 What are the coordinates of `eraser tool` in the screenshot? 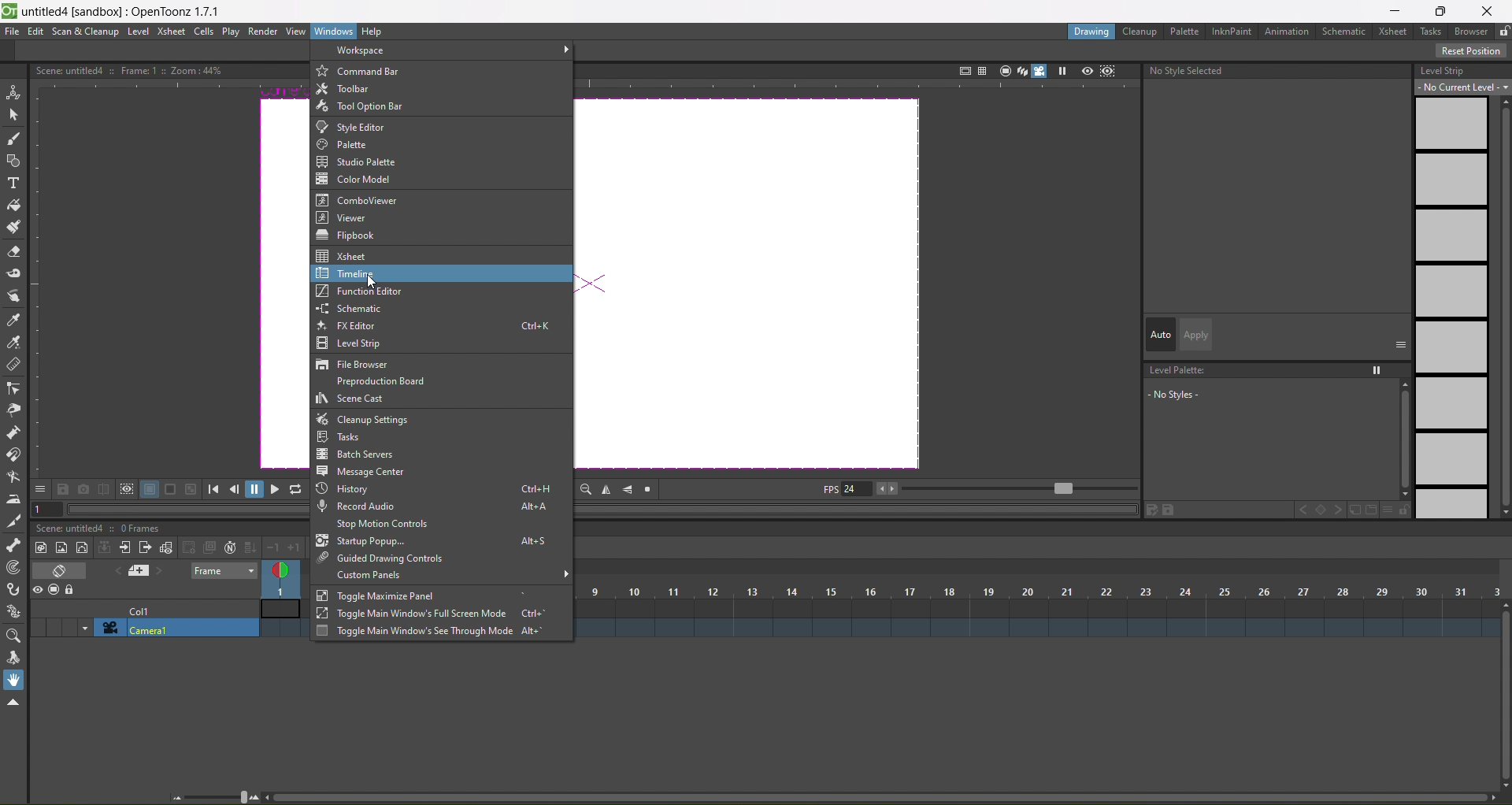 It's located at (14, 253).